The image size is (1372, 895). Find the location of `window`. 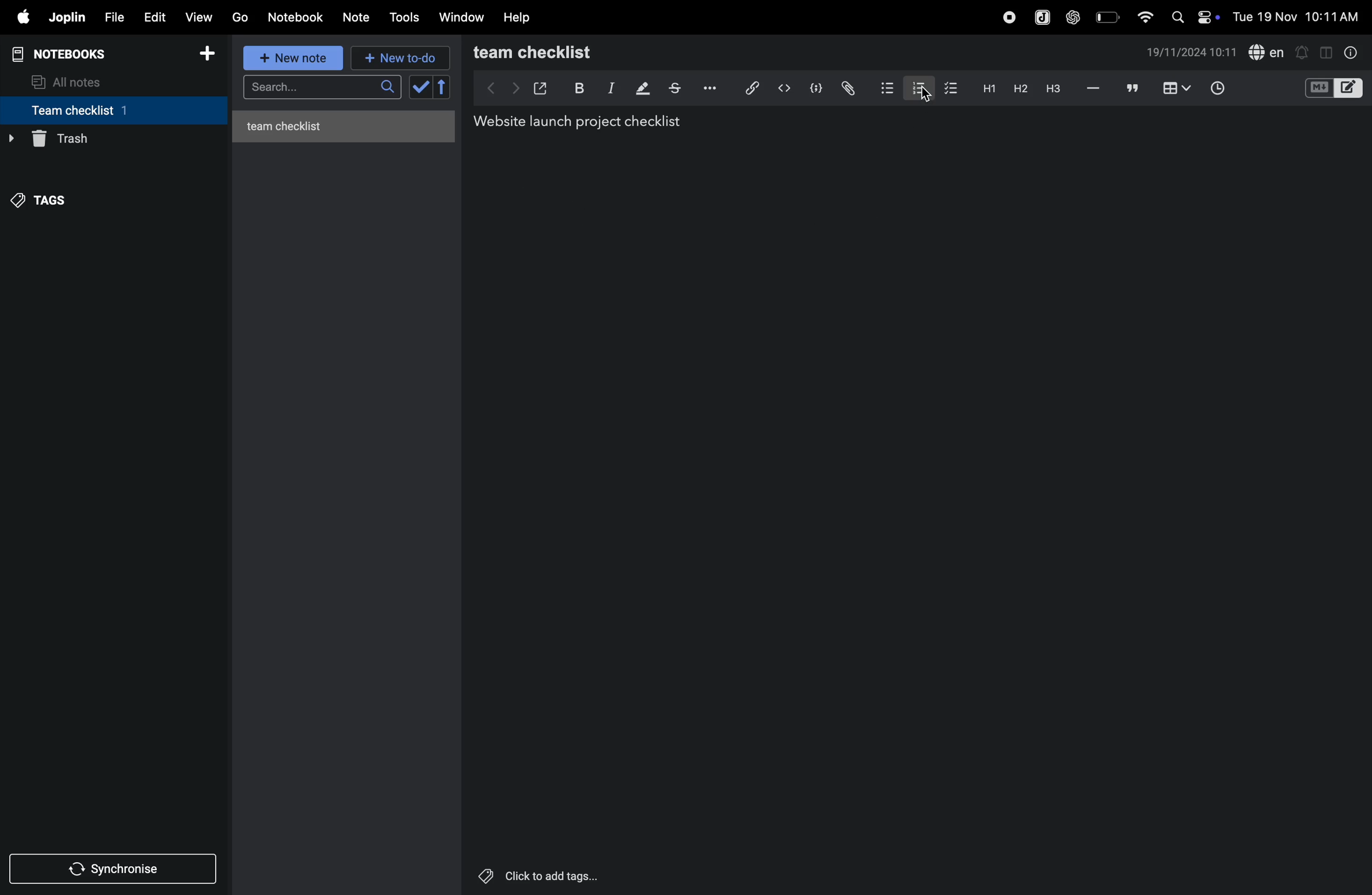

window is located at coordinates (461, 18).